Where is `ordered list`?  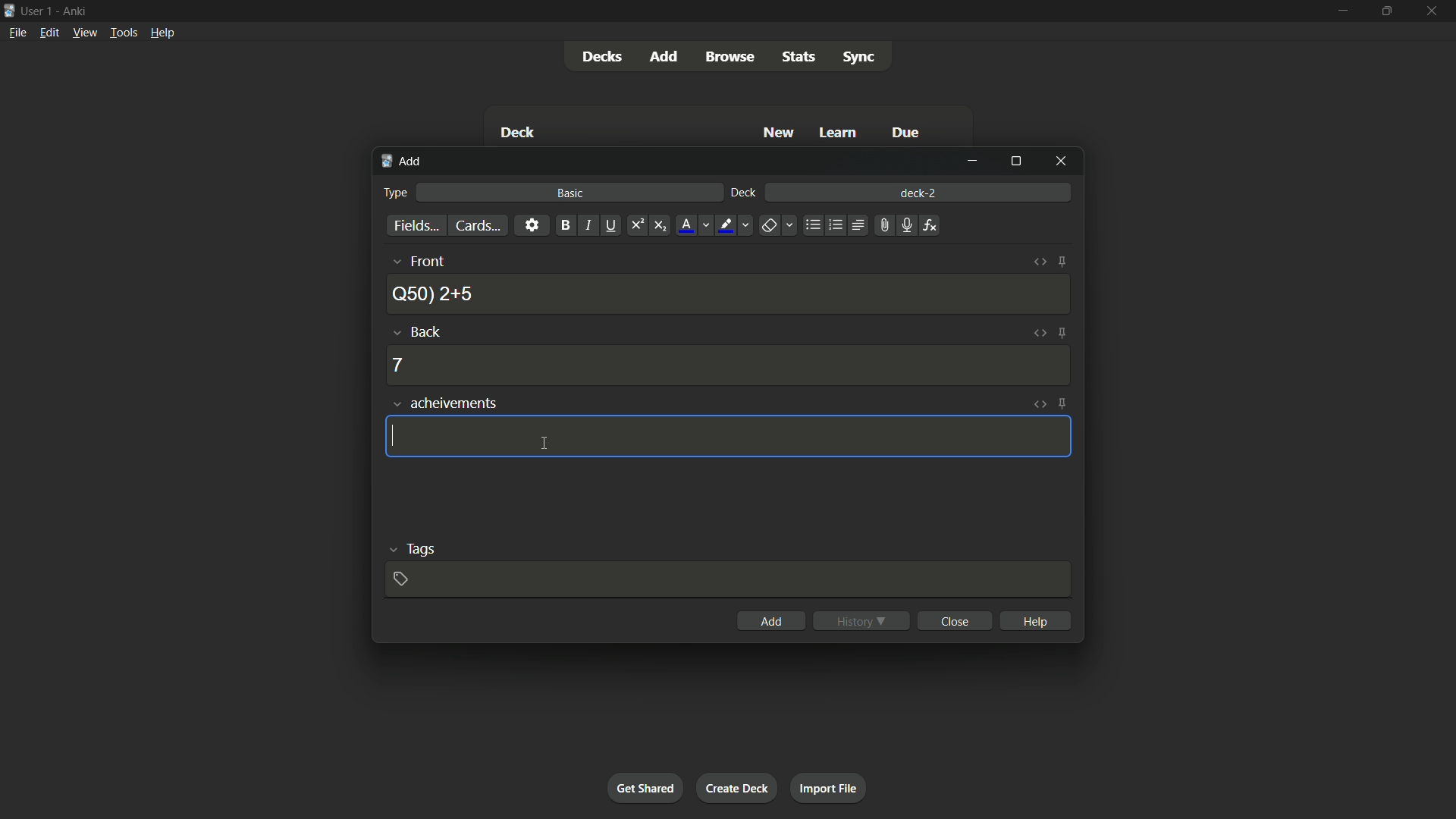
ordered list is located at coordinates (836, 226).